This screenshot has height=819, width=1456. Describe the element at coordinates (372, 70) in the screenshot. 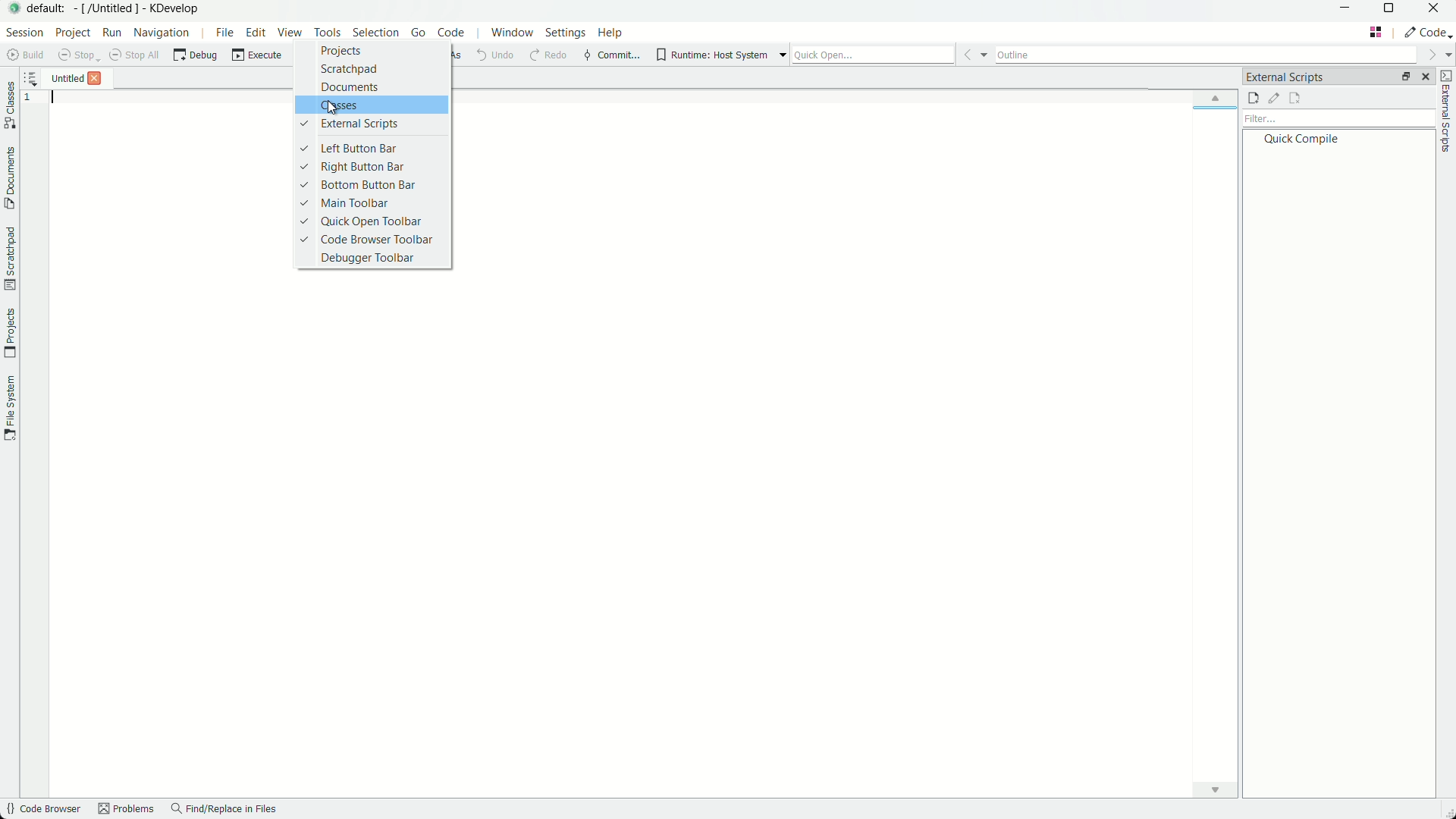

I see `scratchpad` at that location.